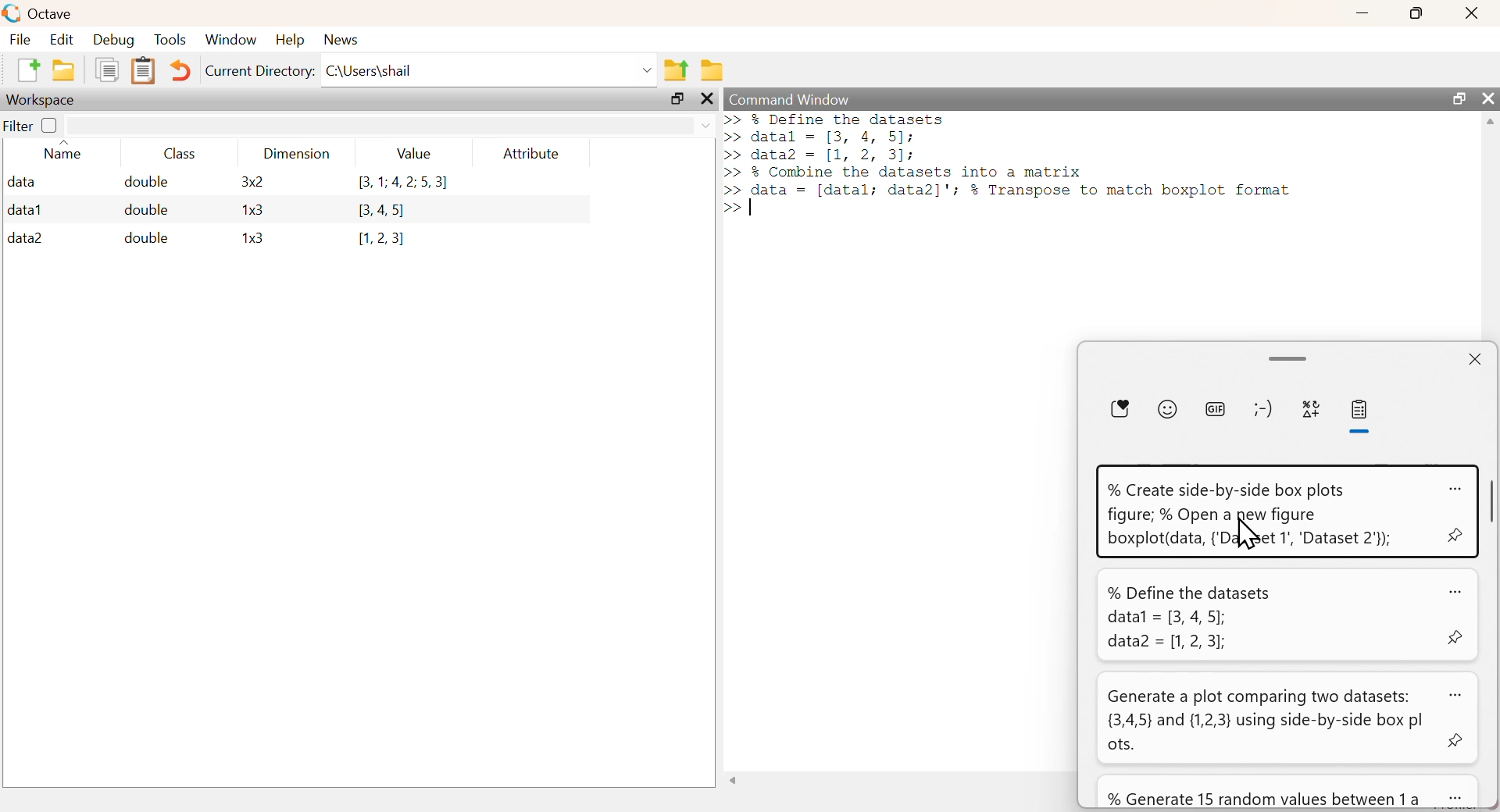  Describe the element at coordinates (64, 152) in the screenshot. I see `Name` at that location.